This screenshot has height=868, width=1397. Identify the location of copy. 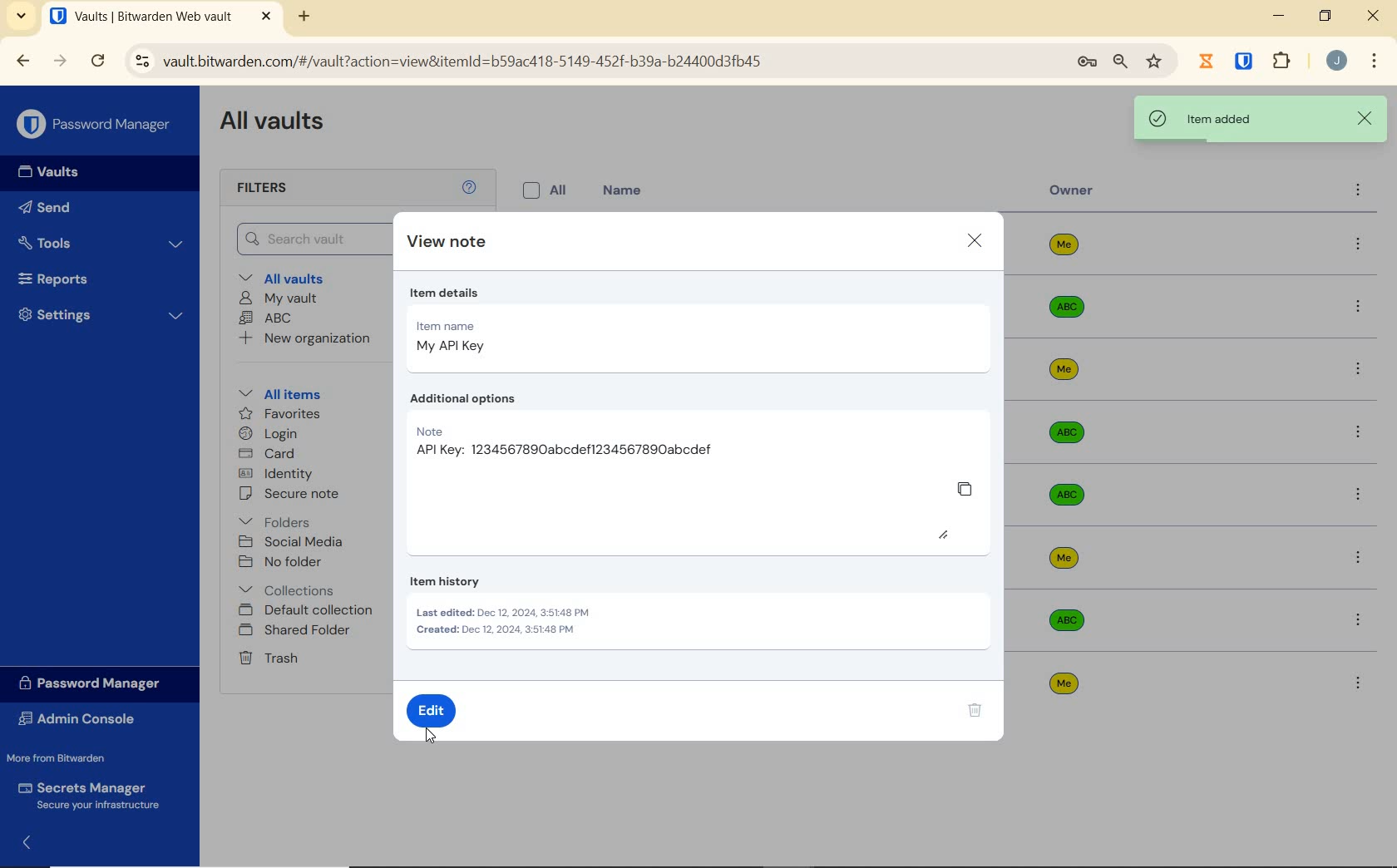
(967, 489).